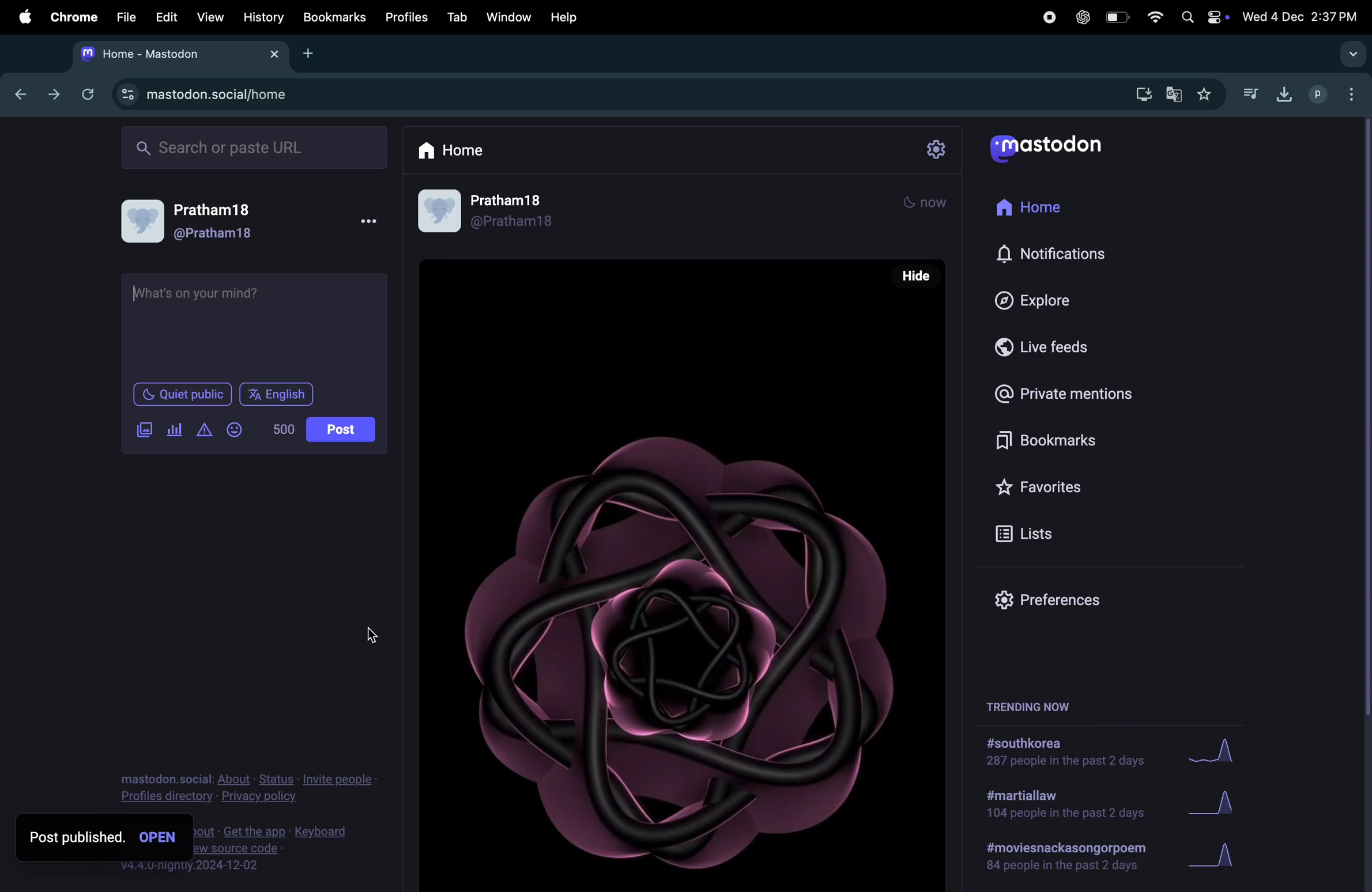 This screenshot has height=892, width=1372. I want to click on lists, so click(1034, 532).